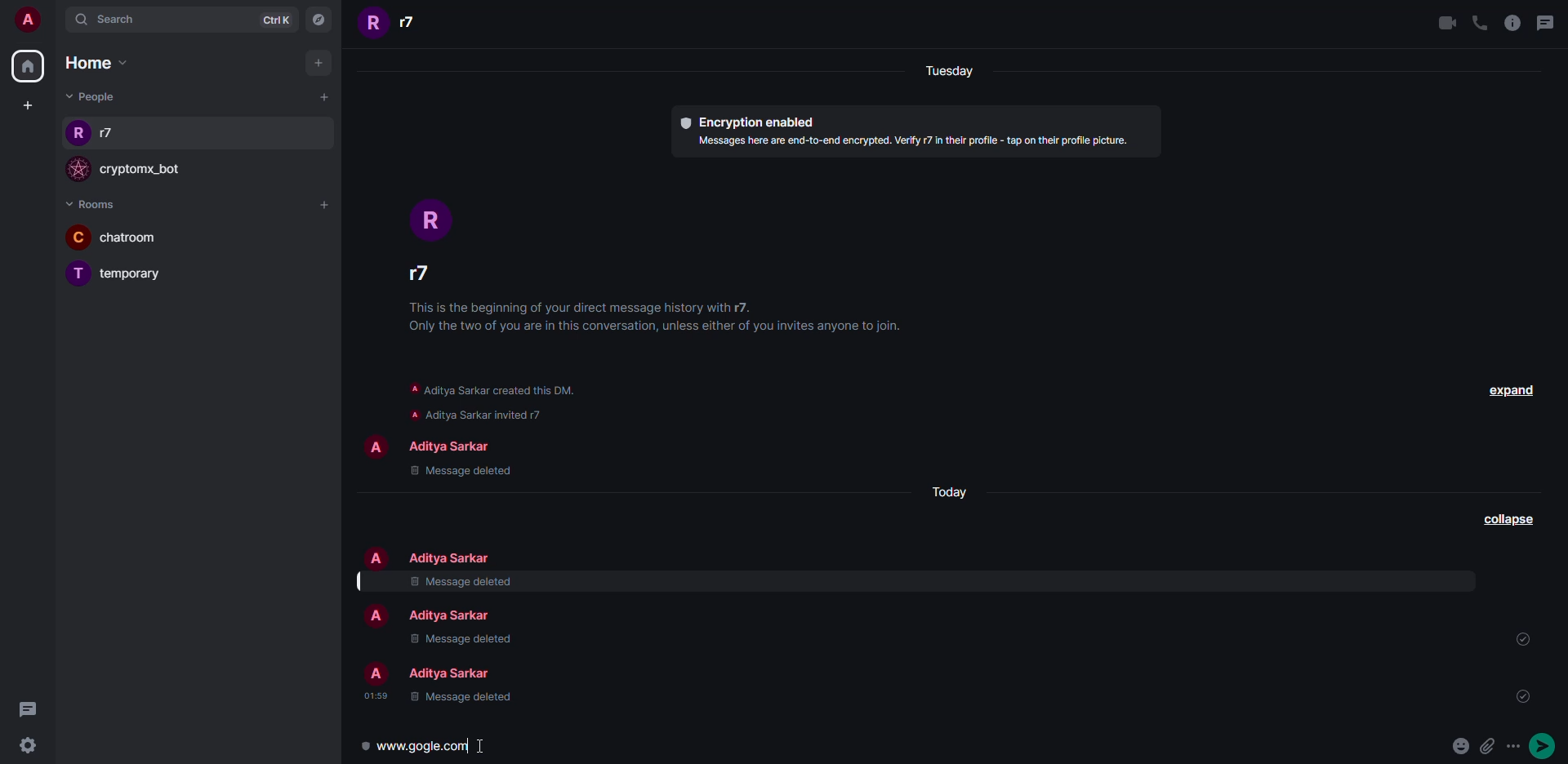 This screenshot has width=1568, height=764. What do you see at coordinates (29, 748) in the screenshot?
I see `settings` at bounding box center [29, 748].